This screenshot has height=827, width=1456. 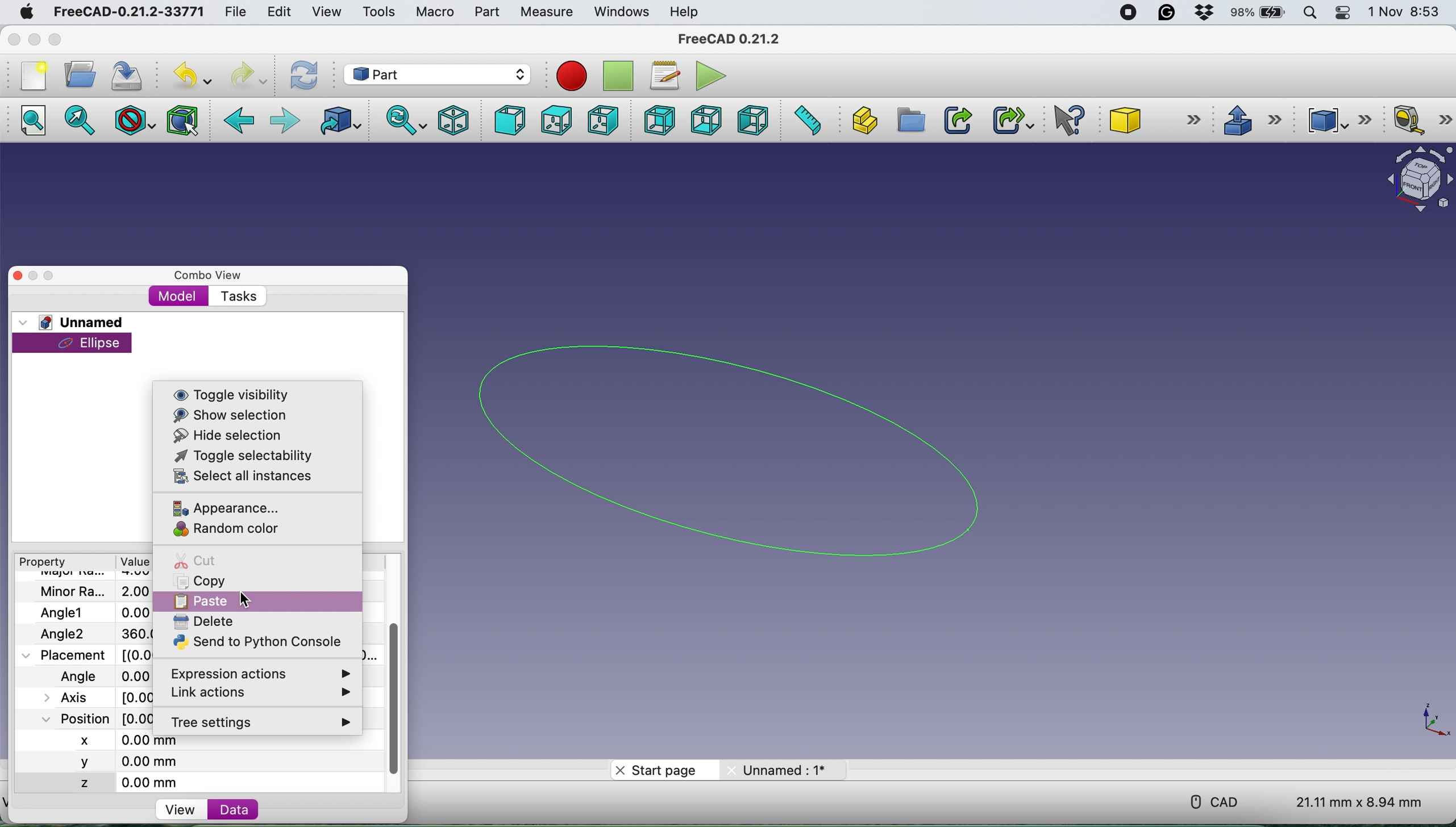 I want to click on ellipse selected, so click(x=72, y=344).